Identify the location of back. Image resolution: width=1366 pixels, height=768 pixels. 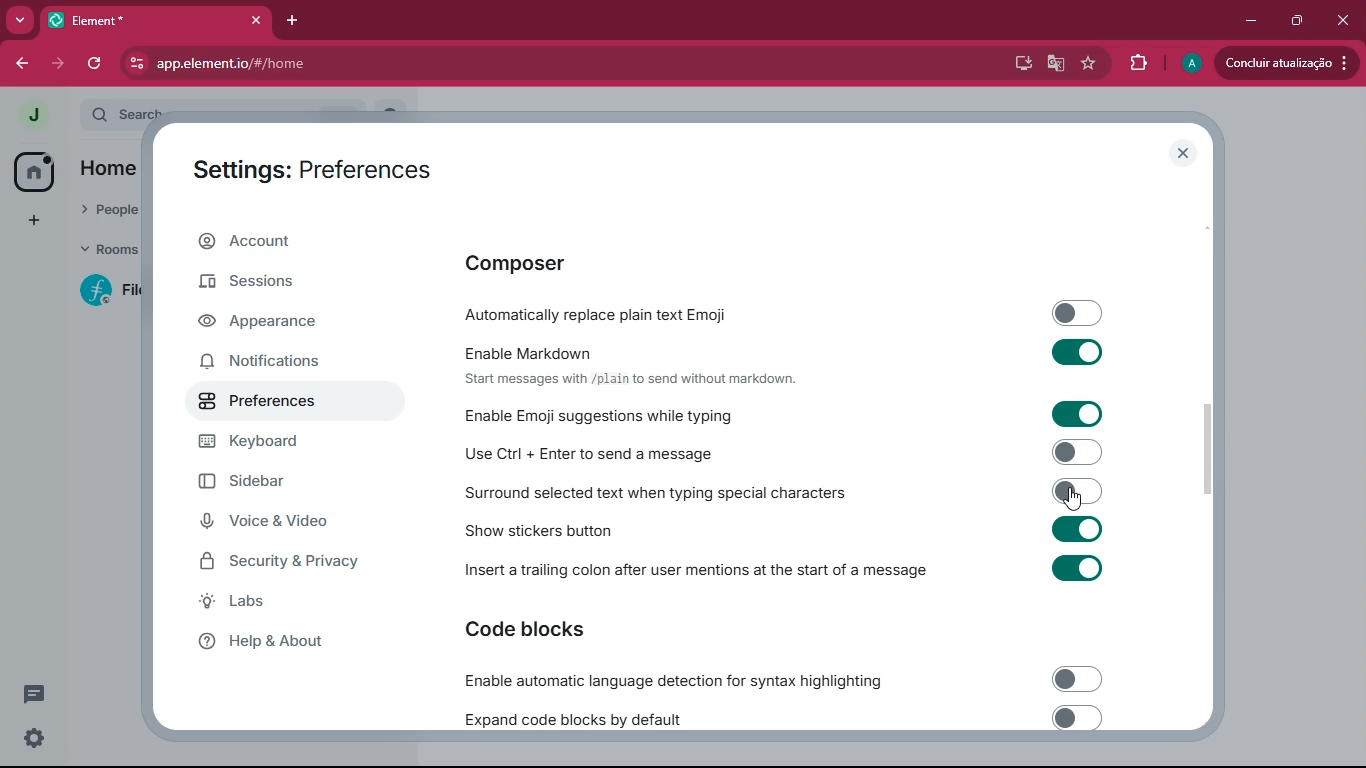
(23, 61).